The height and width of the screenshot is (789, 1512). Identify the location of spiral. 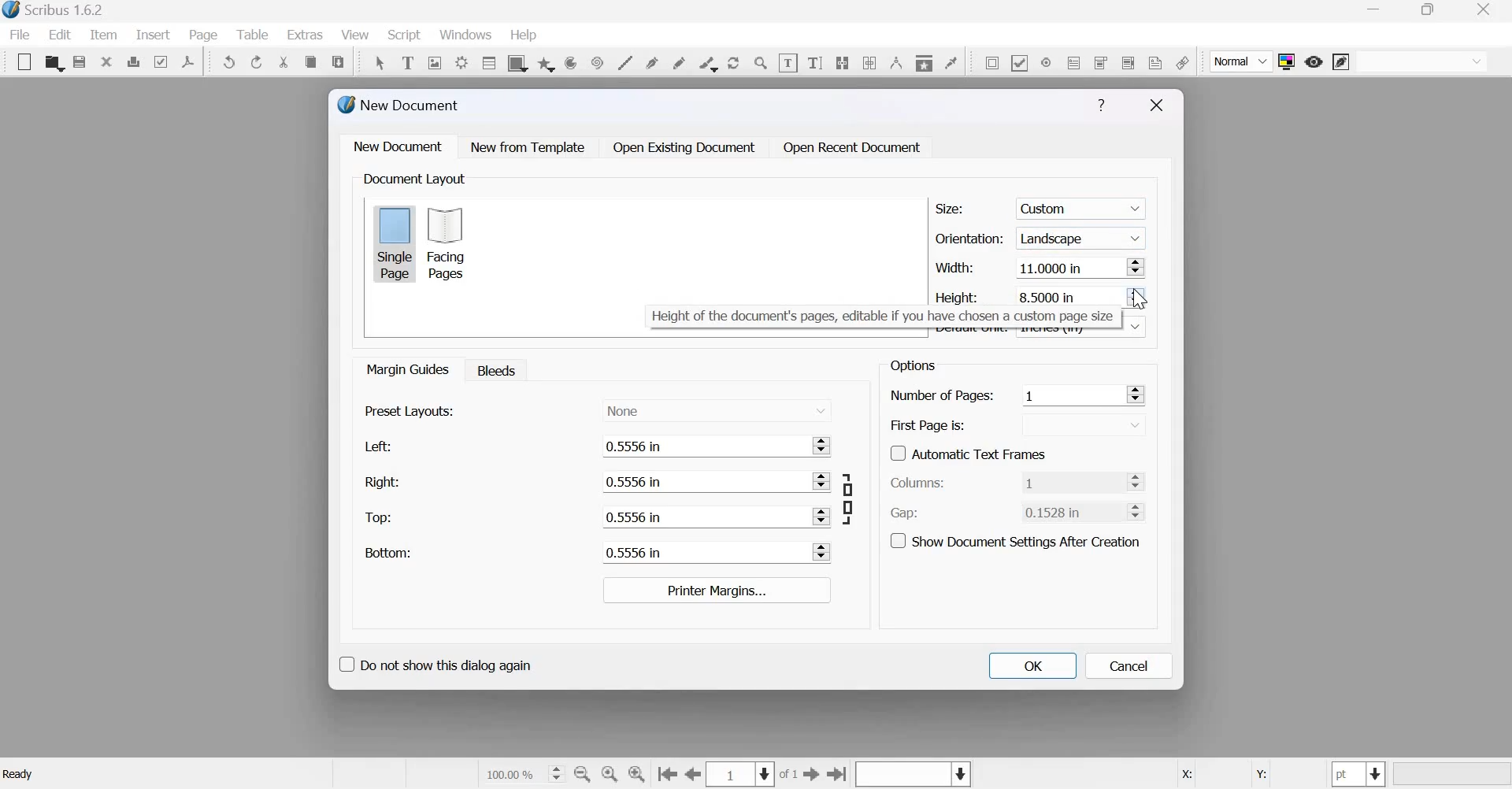
(595, 61).